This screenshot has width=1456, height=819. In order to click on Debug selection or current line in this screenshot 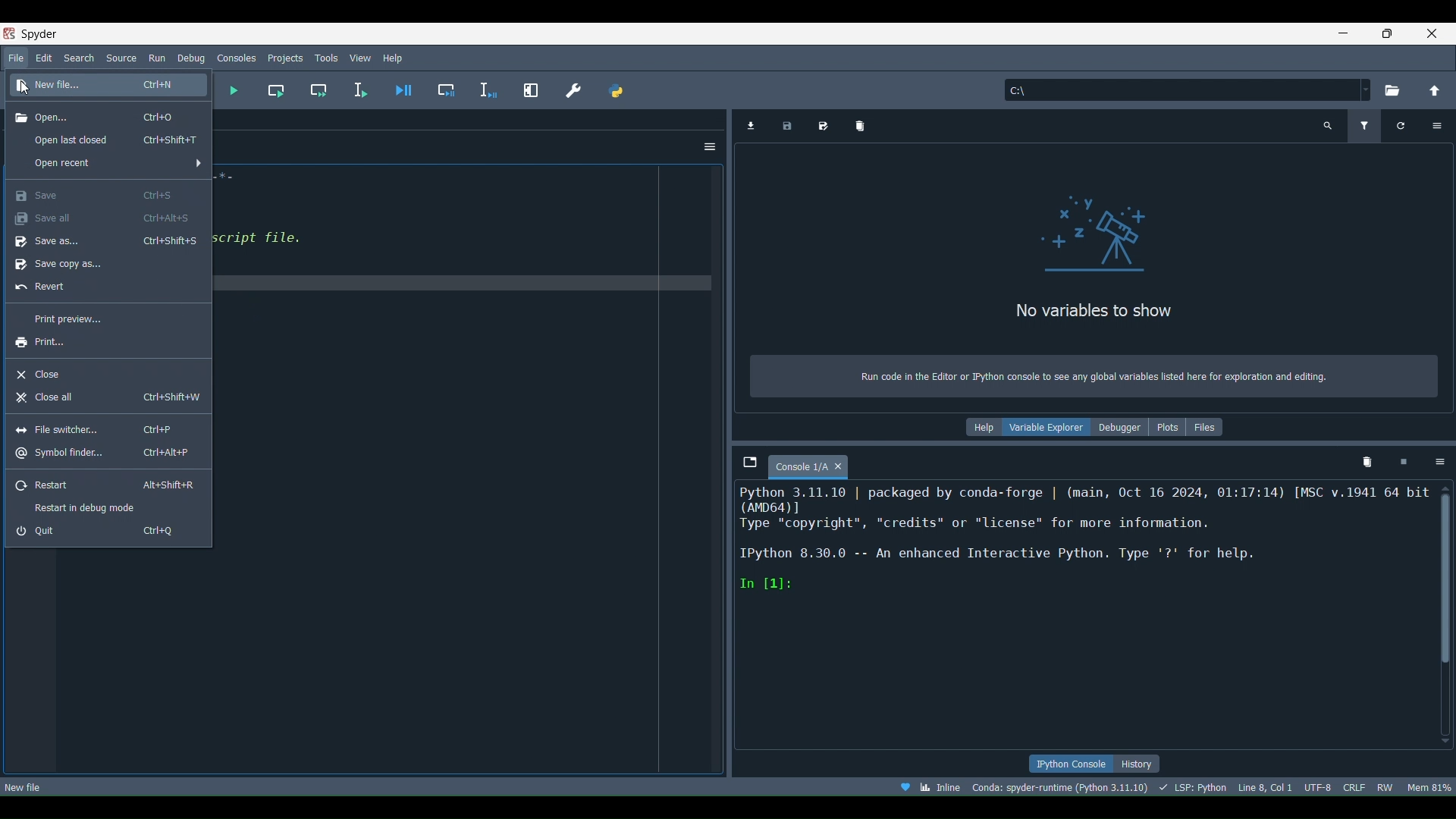, I will do `click(486, 87)`.